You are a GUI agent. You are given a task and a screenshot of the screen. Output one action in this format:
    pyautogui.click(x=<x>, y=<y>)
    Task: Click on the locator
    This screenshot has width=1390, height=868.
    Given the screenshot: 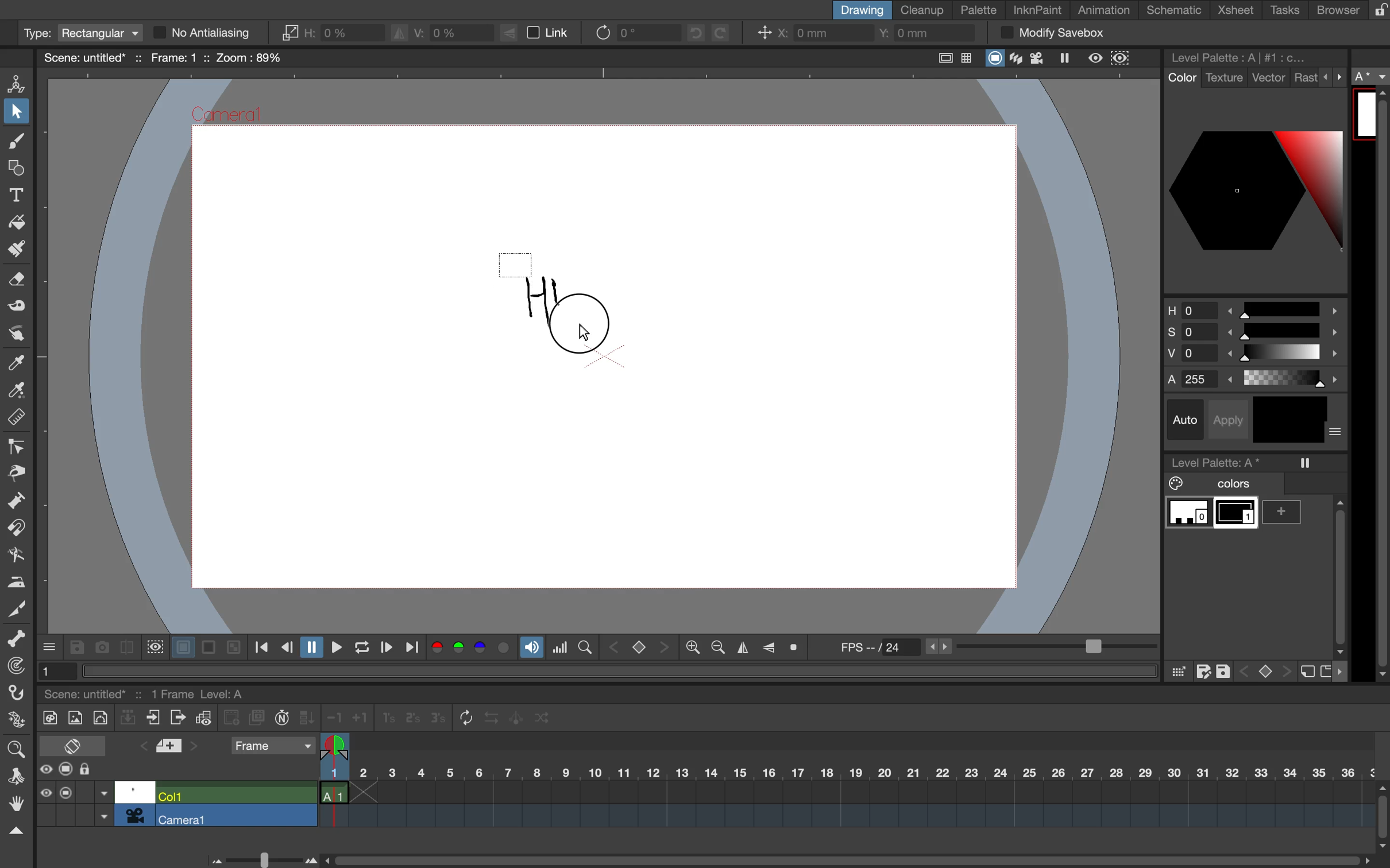 What is the action you would take?
    pyautogui.click(x=585, y=646)
    